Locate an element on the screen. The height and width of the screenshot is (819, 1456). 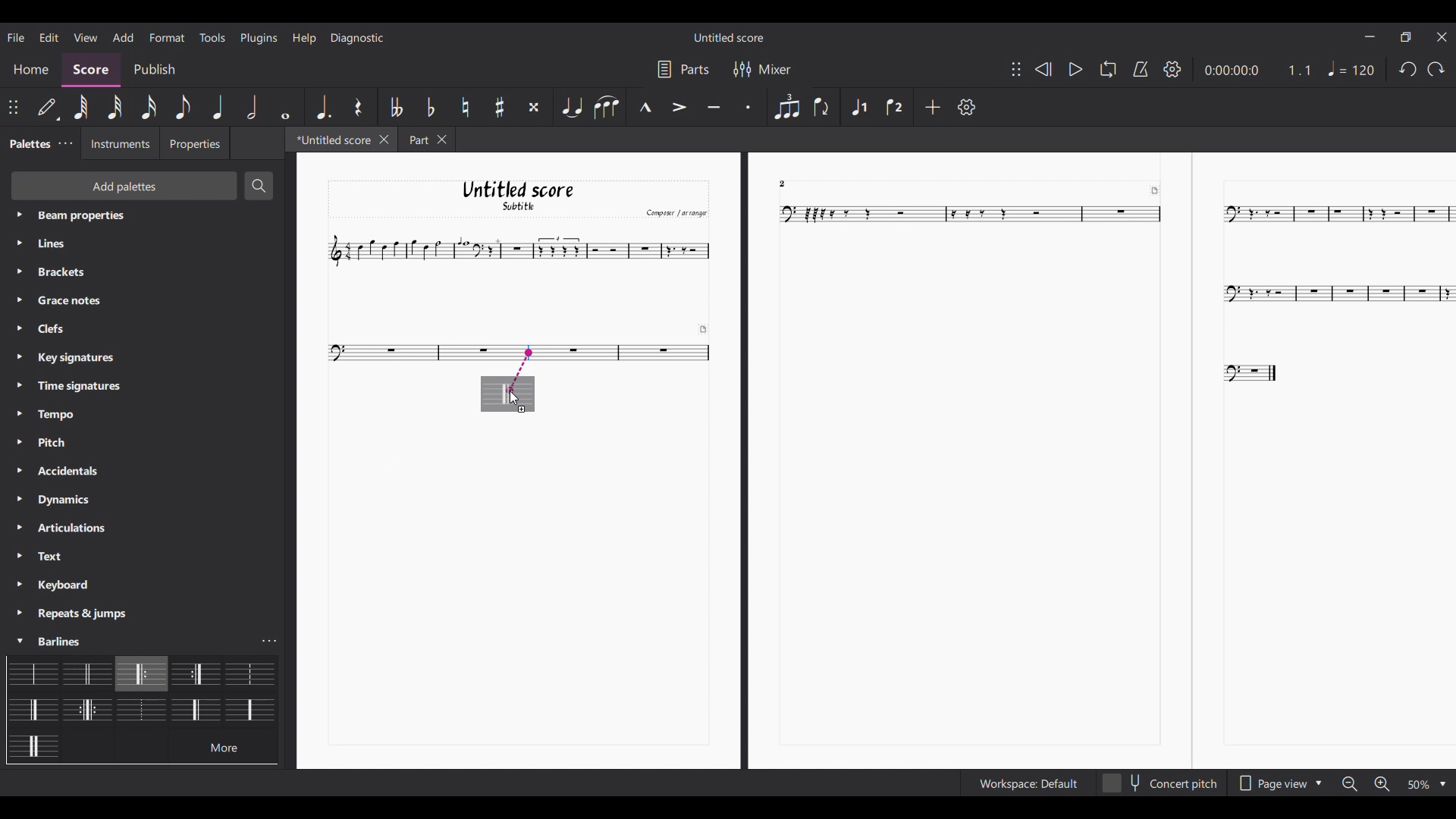
Palette settings is located at coordinates (52, 639).